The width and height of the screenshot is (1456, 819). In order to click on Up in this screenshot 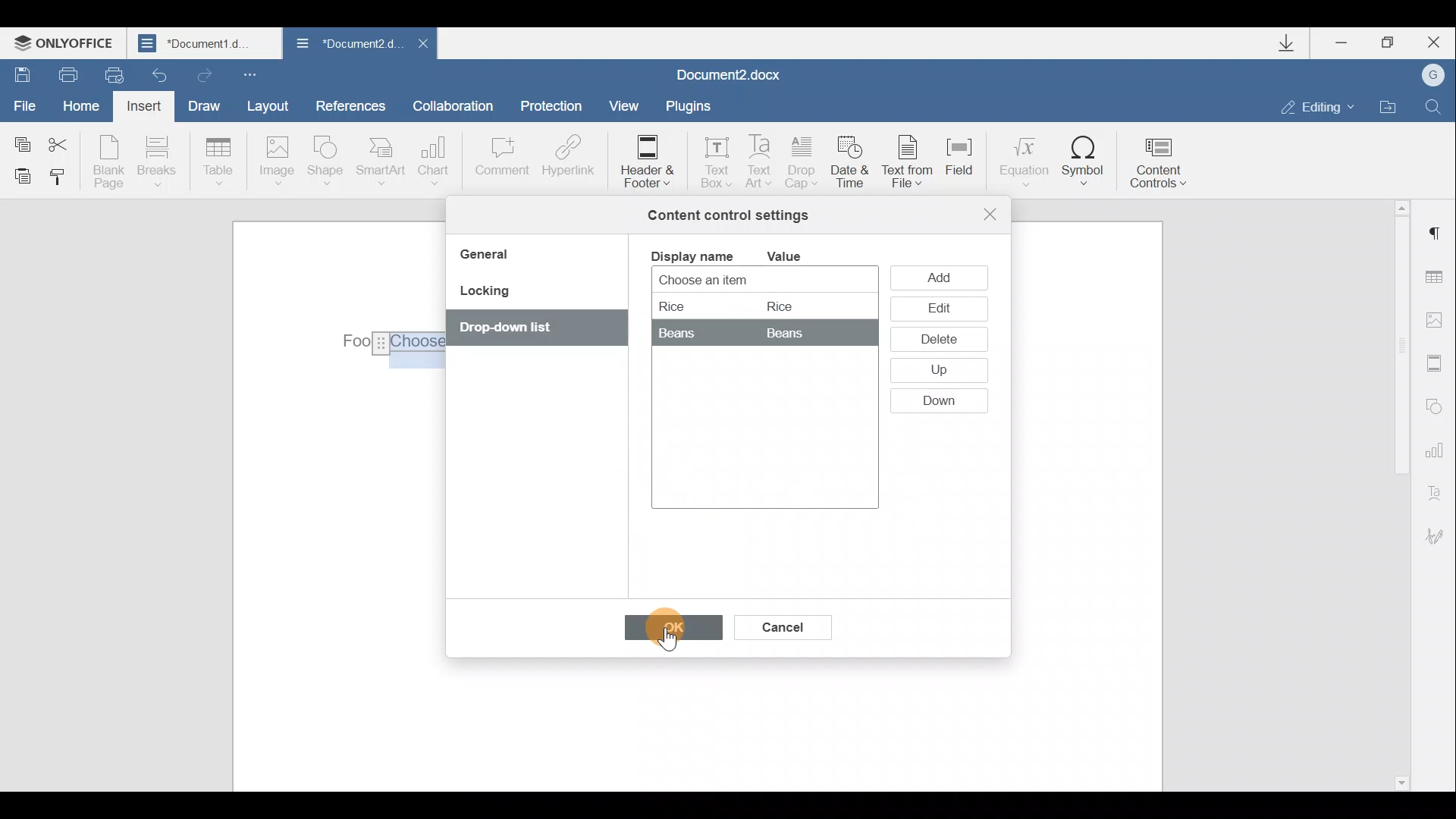, I will do `click(937, 372)`.